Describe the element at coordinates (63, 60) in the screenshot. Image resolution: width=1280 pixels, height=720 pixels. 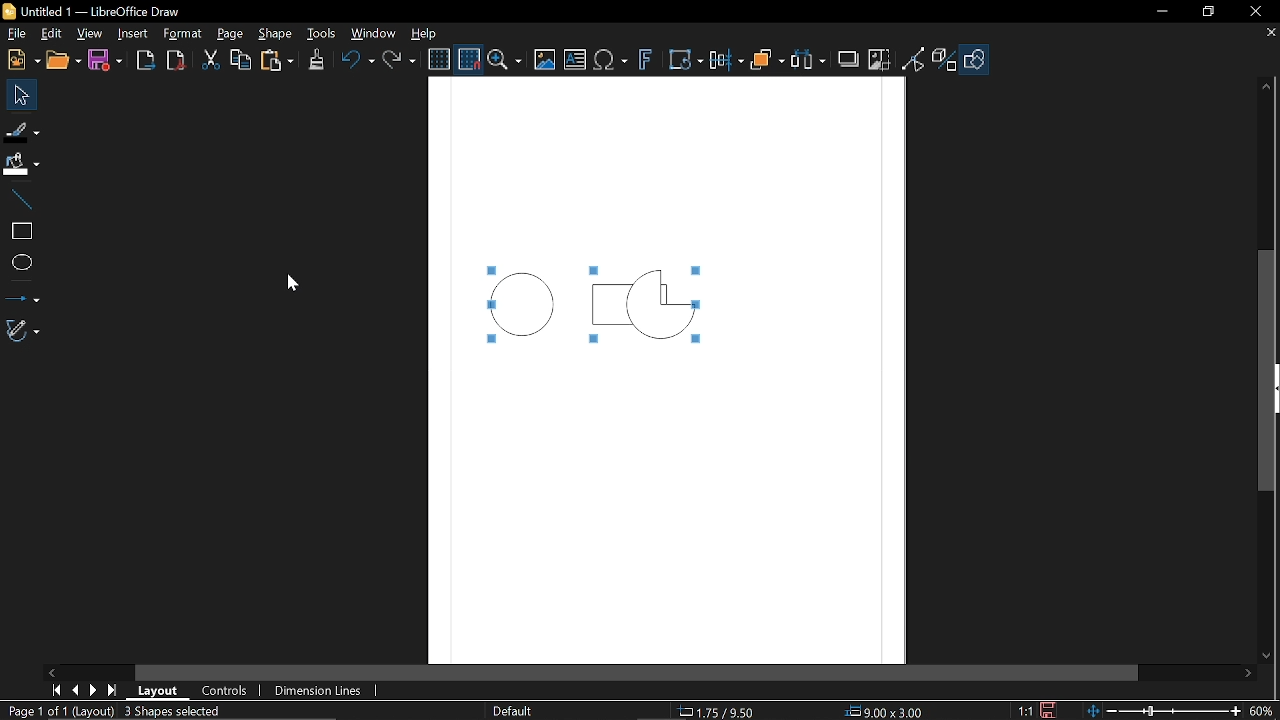
I see `Open` at that location.